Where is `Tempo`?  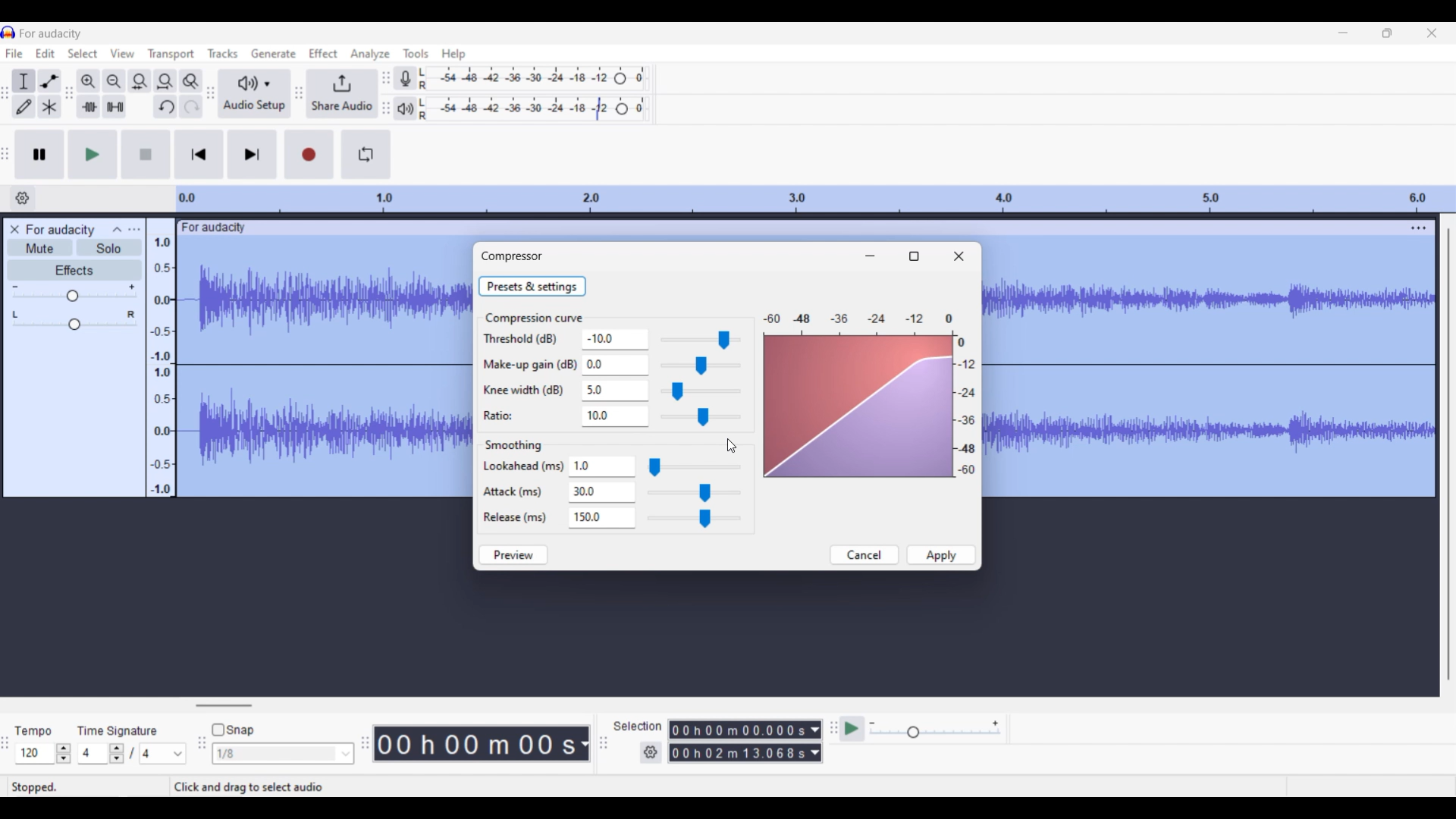 Tempo is located at coordinates (33, 731).